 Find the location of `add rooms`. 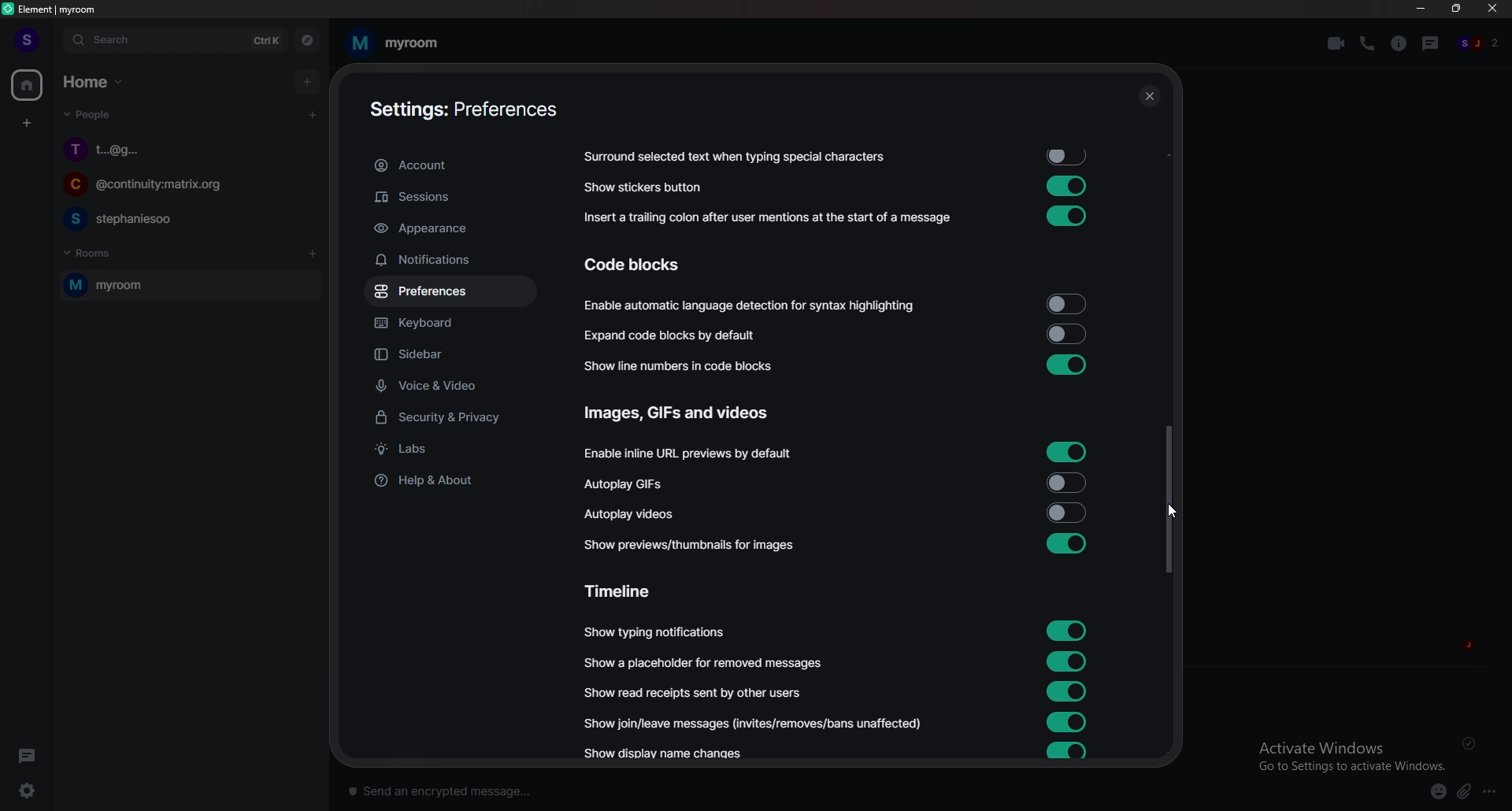

add rooms is located at coordinates (313, 254).